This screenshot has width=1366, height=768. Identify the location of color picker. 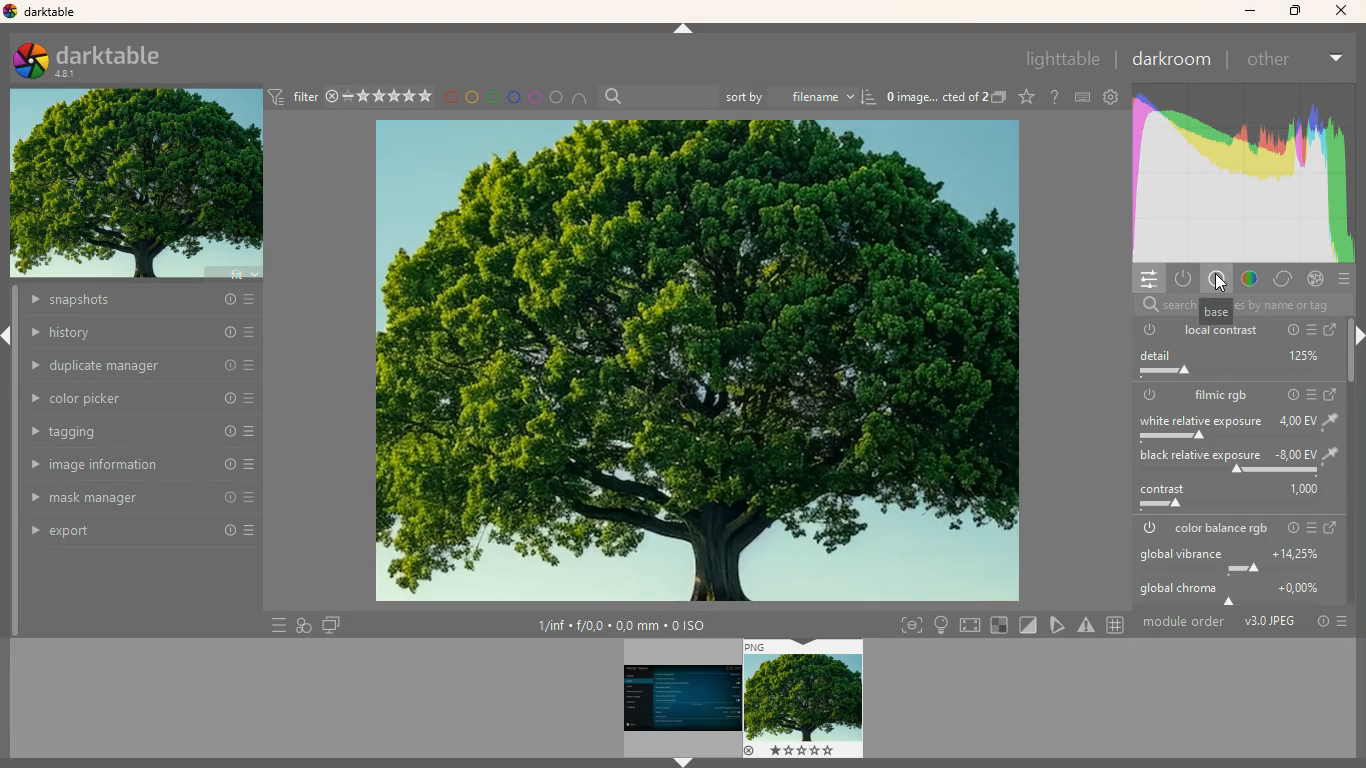
(143, 398).